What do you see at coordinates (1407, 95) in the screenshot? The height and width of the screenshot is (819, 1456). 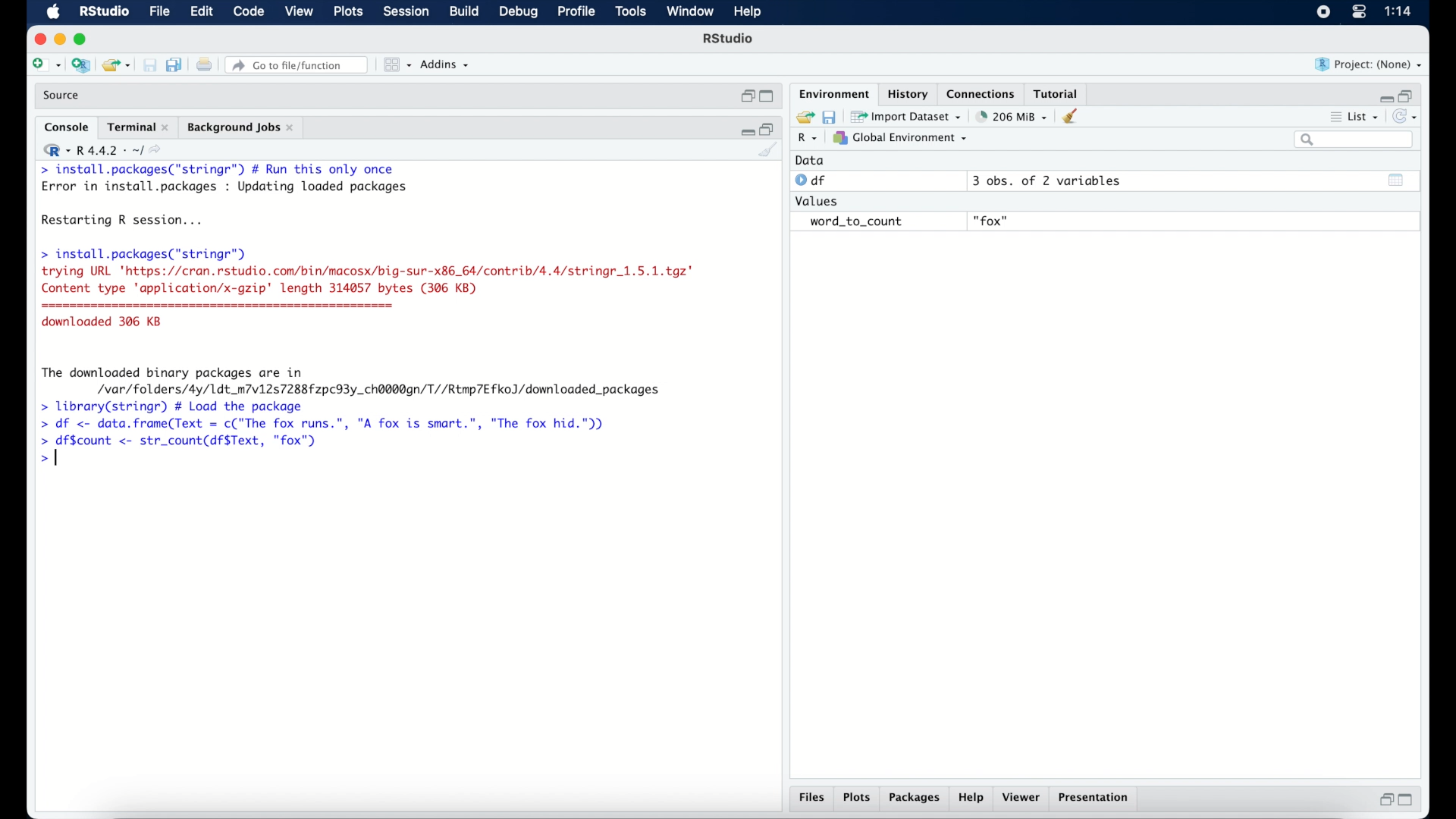 I see `restore down` at bounding box center [1407, 95].